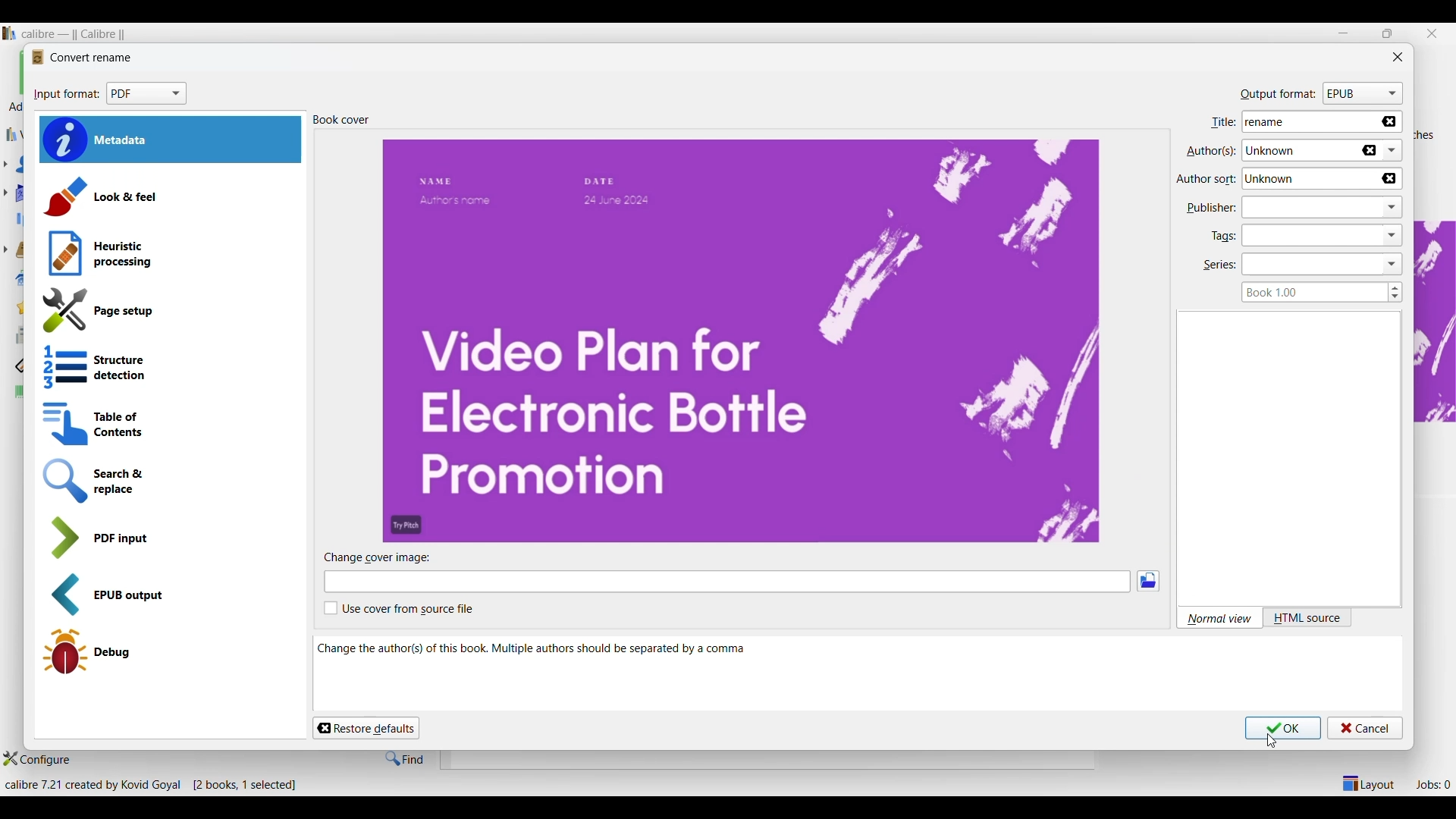 The image size is (1456, 819). What do you see at coordinates (1363, 93) in the screenshot?
I see `Format options` at bounding box center [1363, 93].